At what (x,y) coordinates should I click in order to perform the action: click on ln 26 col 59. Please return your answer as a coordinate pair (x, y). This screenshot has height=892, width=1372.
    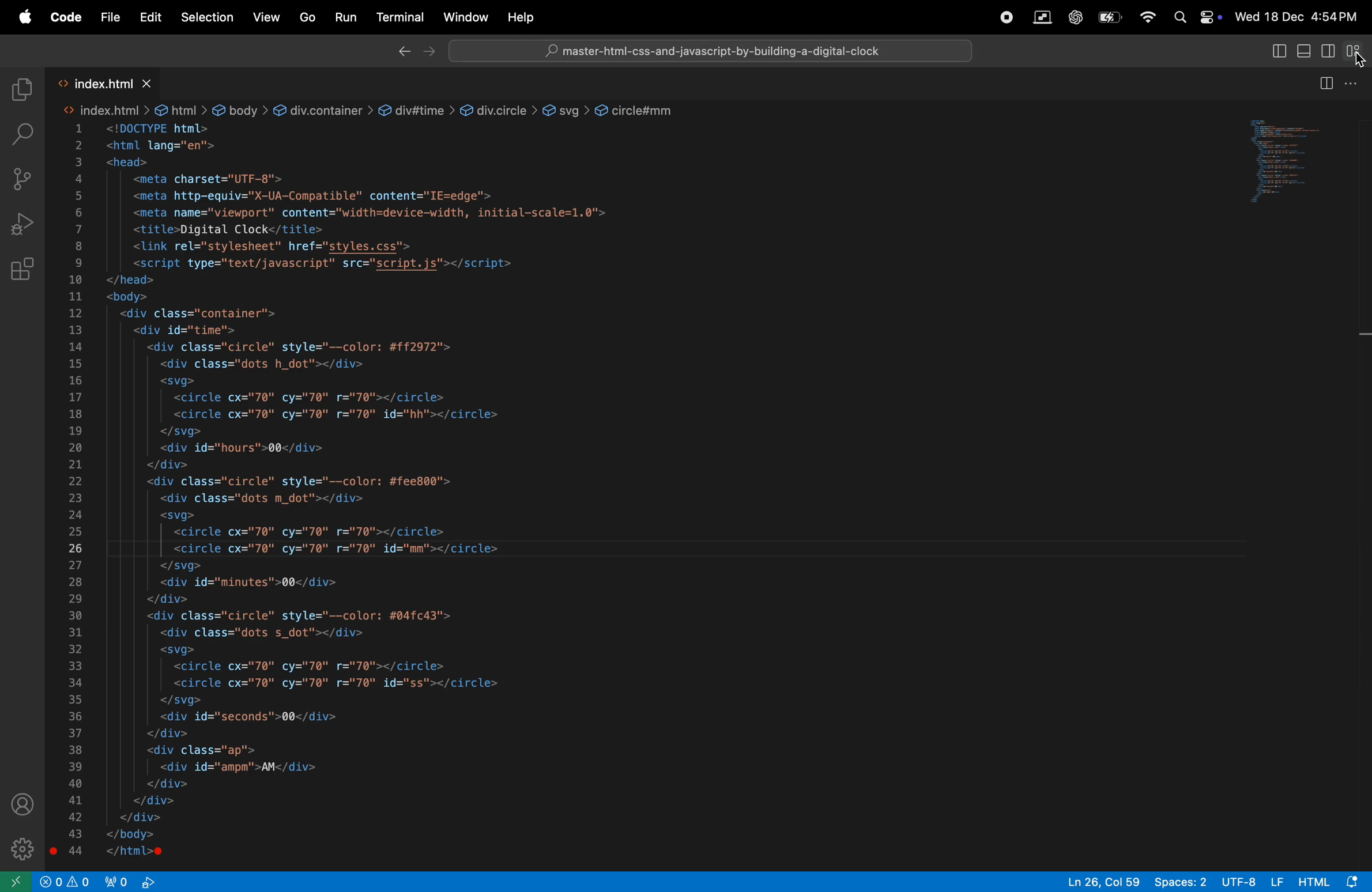
    Looking at the image, I should click on (1095, 882).